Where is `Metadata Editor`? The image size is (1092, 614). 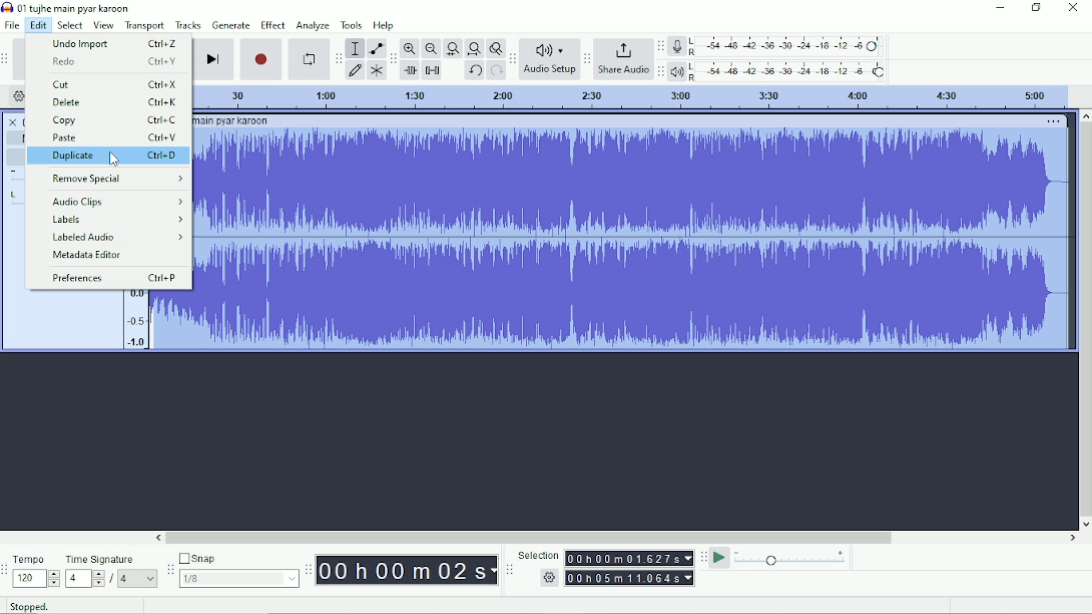
Metadata Editor is located at coordinates (89, 255).